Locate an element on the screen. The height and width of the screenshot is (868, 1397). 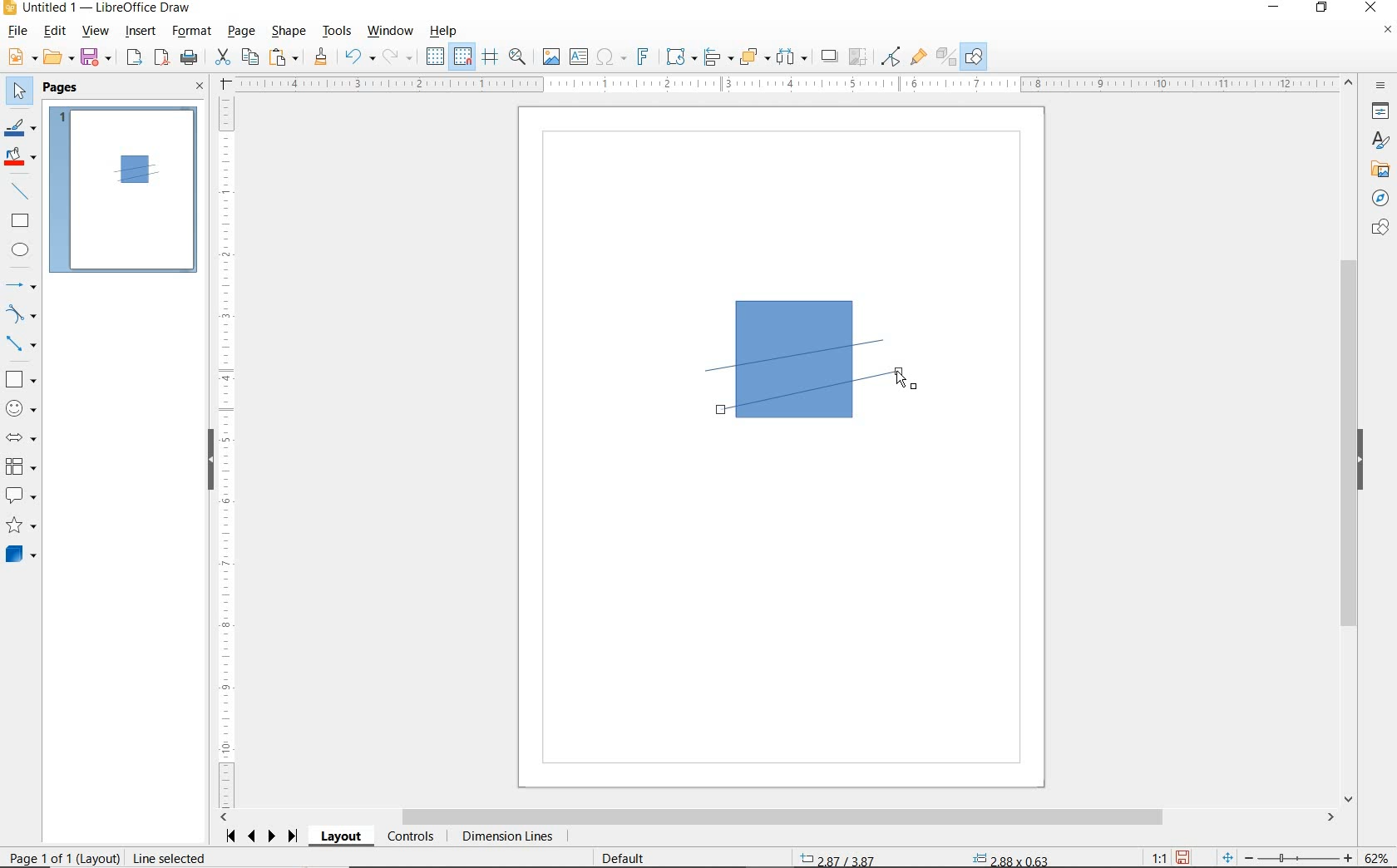
PAGES is located at coordinates (62, 89).